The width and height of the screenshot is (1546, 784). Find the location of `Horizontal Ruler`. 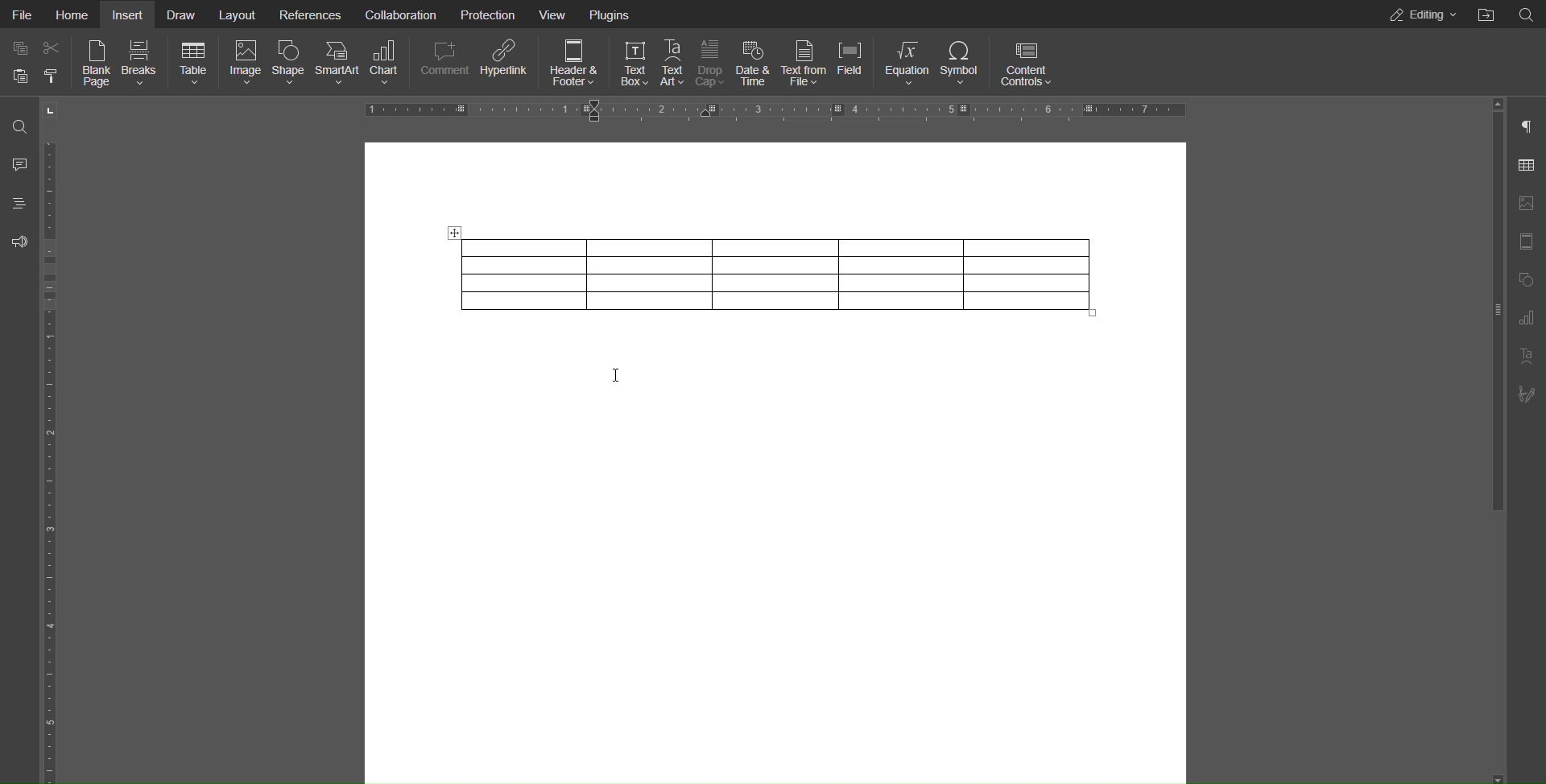

Horizontal Ruler is located at coordinates (782, 110).